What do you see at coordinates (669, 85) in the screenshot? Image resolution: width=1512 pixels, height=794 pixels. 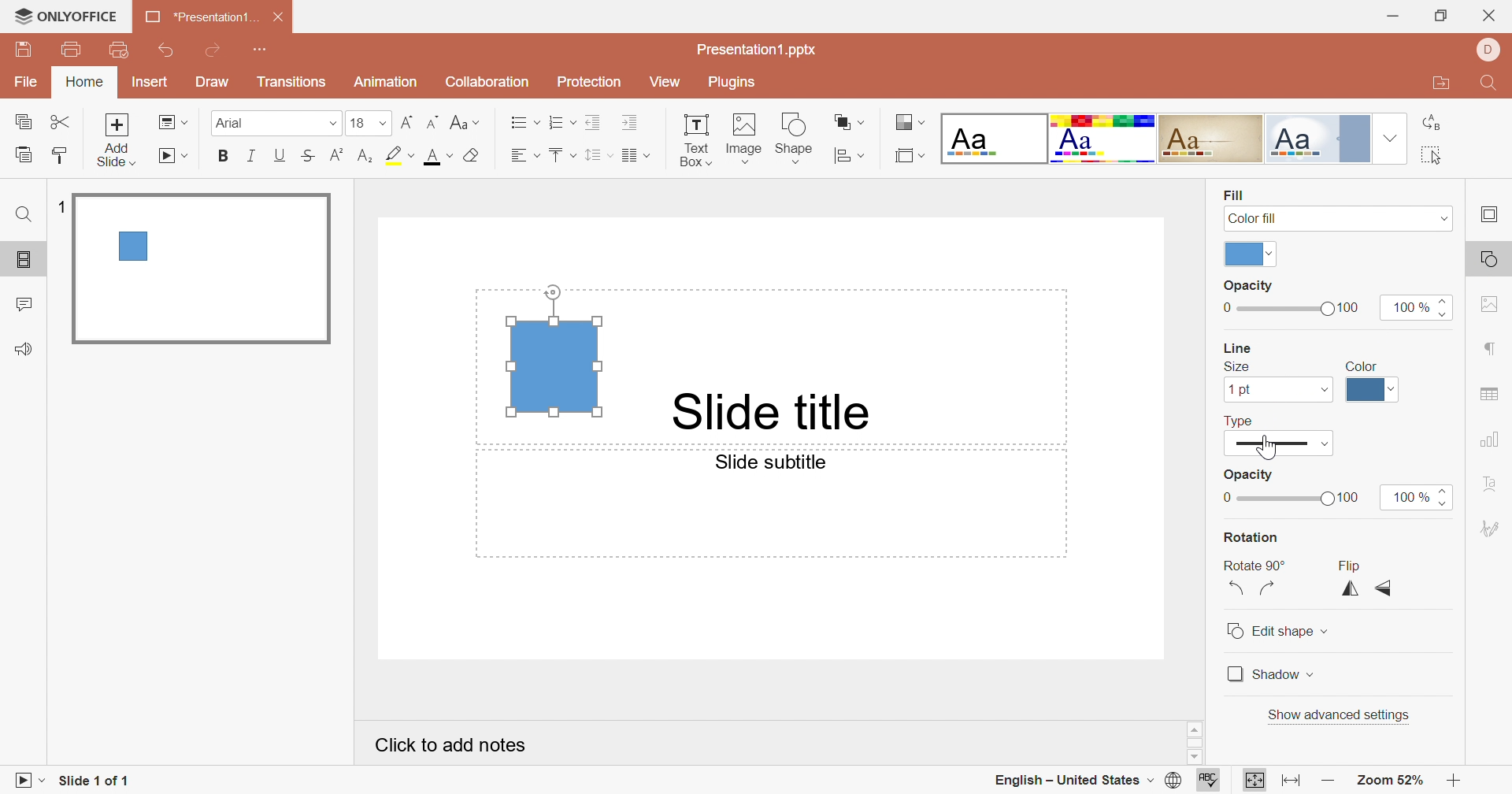 I see `View` at bounding box center [669, 85].